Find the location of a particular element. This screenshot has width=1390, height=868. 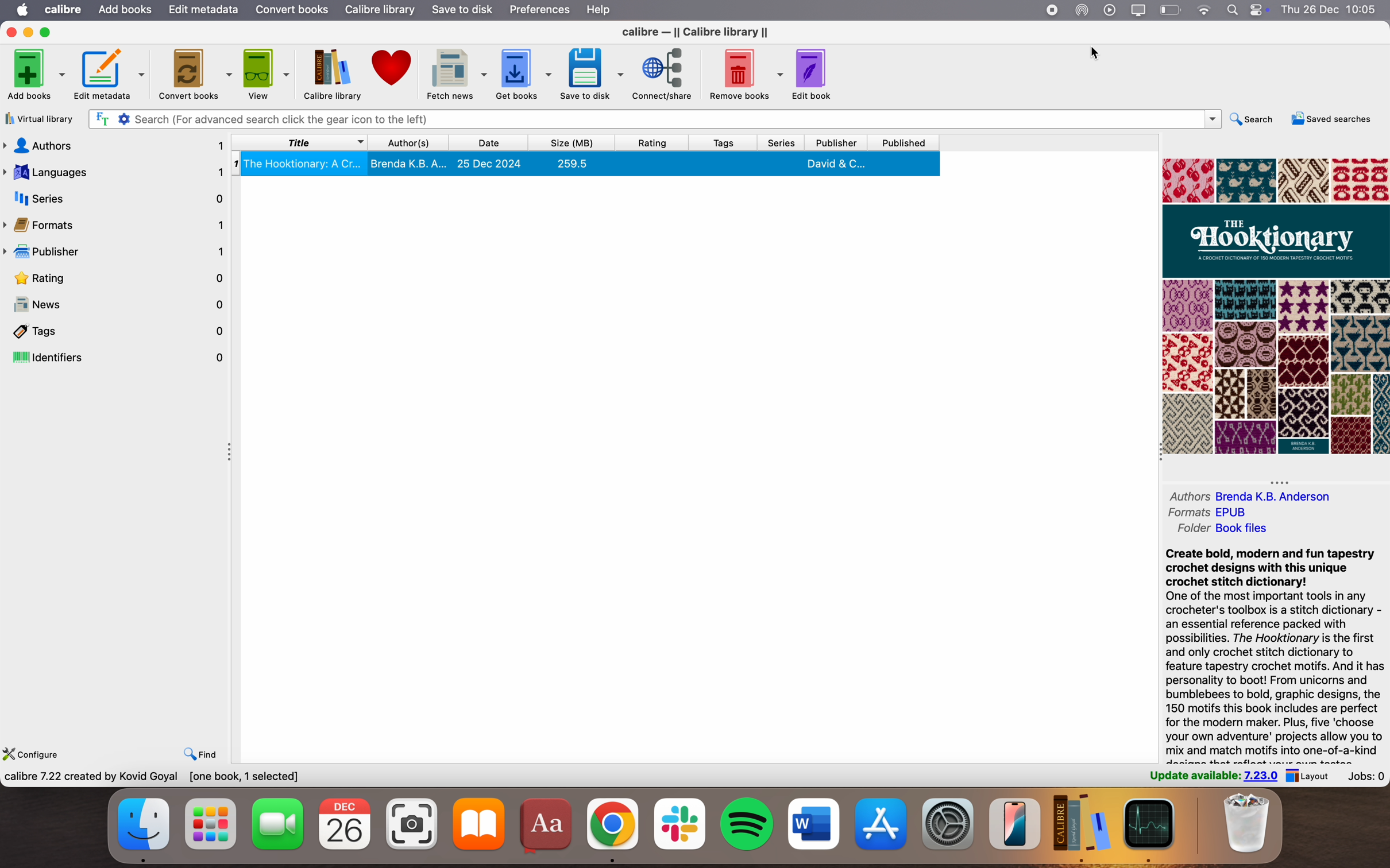

THE Hooktionary APR is located at coordinates (1275, 305).